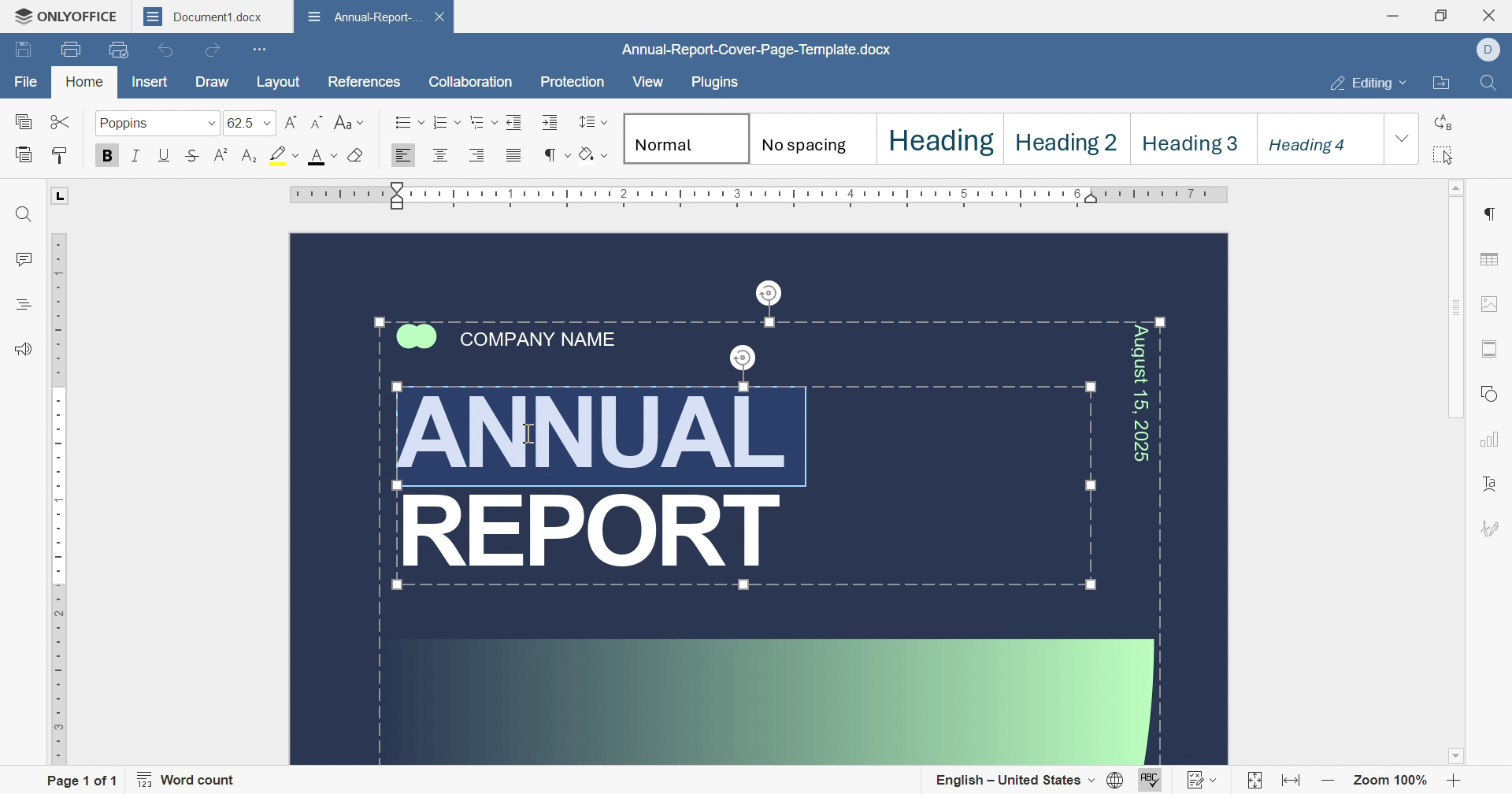 The width and height of the screenshot is (1512, 794). Describe the element at coordinates (213, 82) in the screenshot. I see `draw` at that location.